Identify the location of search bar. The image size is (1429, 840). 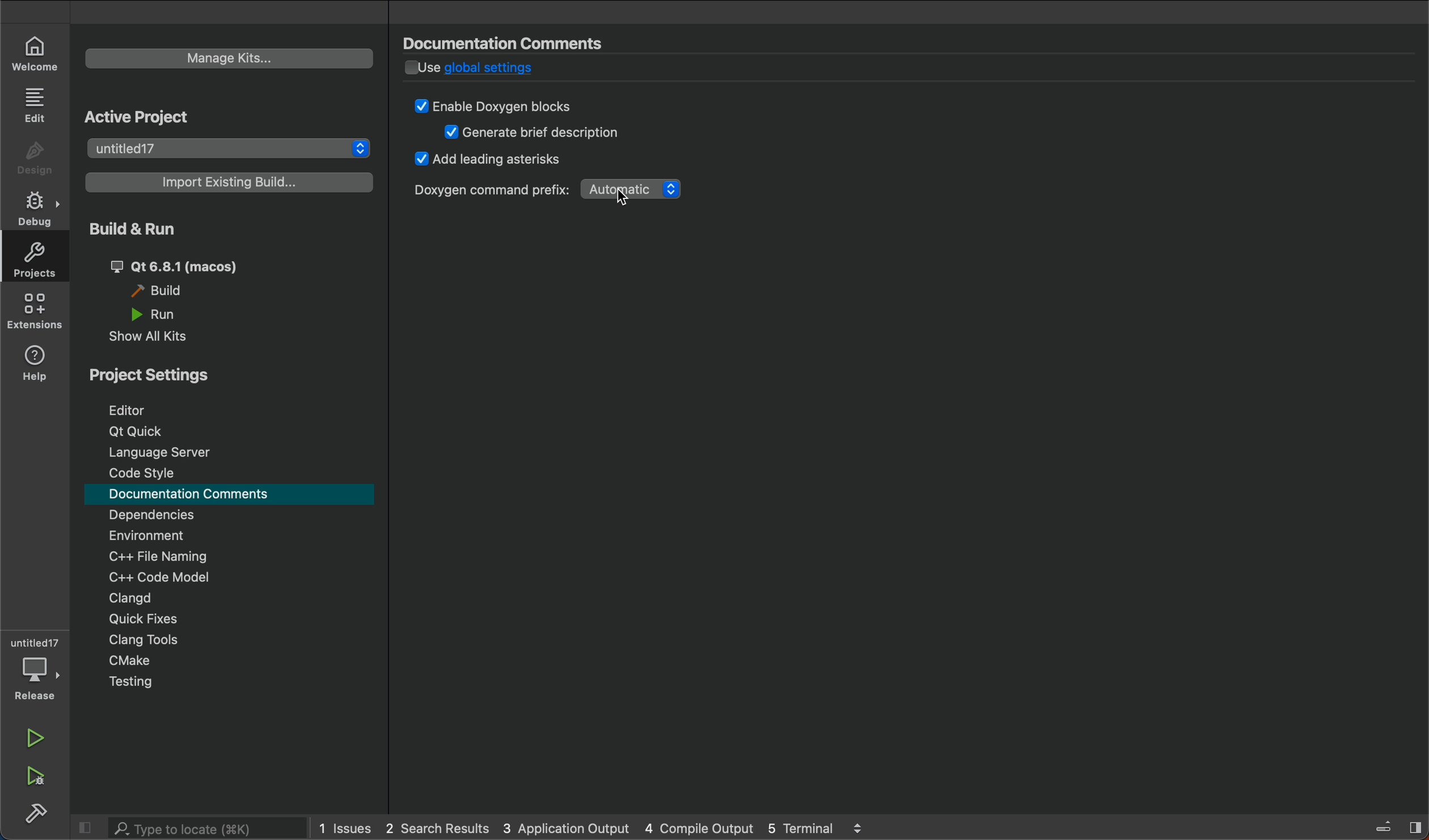
(208, 828).